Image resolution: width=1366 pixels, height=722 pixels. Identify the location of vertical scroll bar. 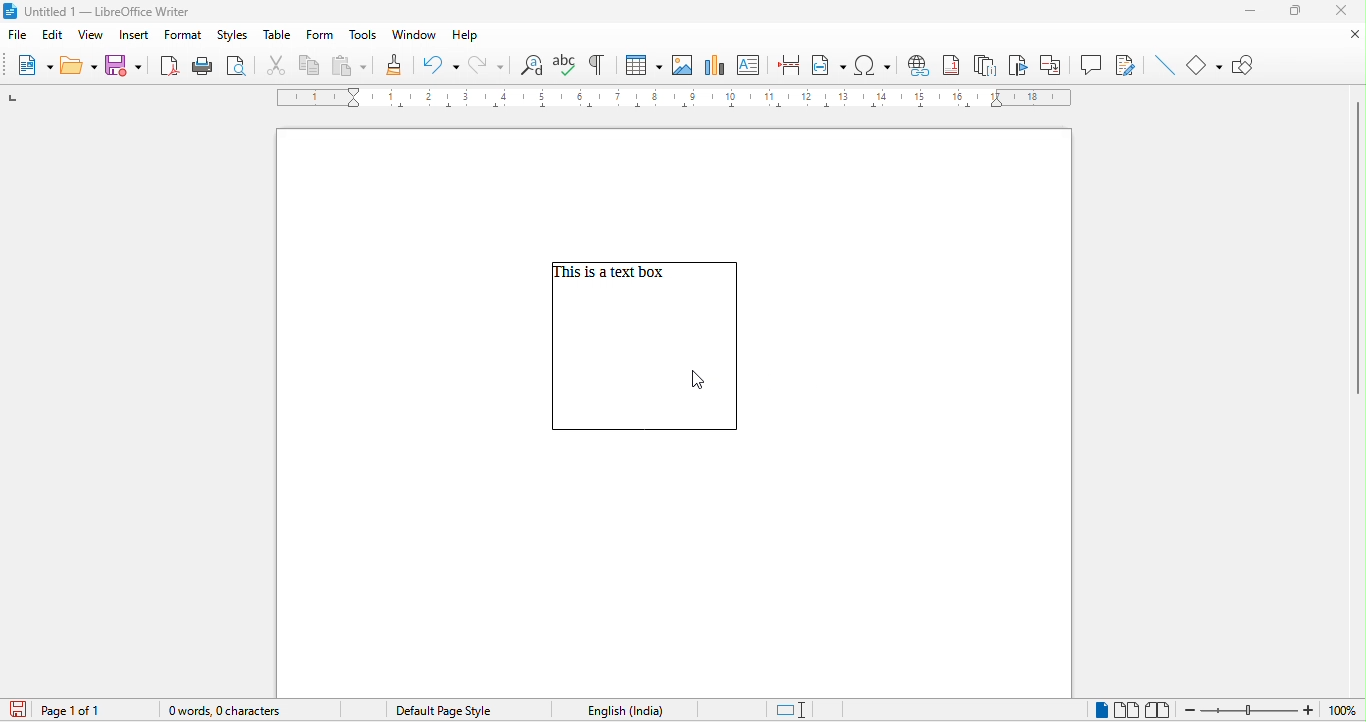
(1355, 248).